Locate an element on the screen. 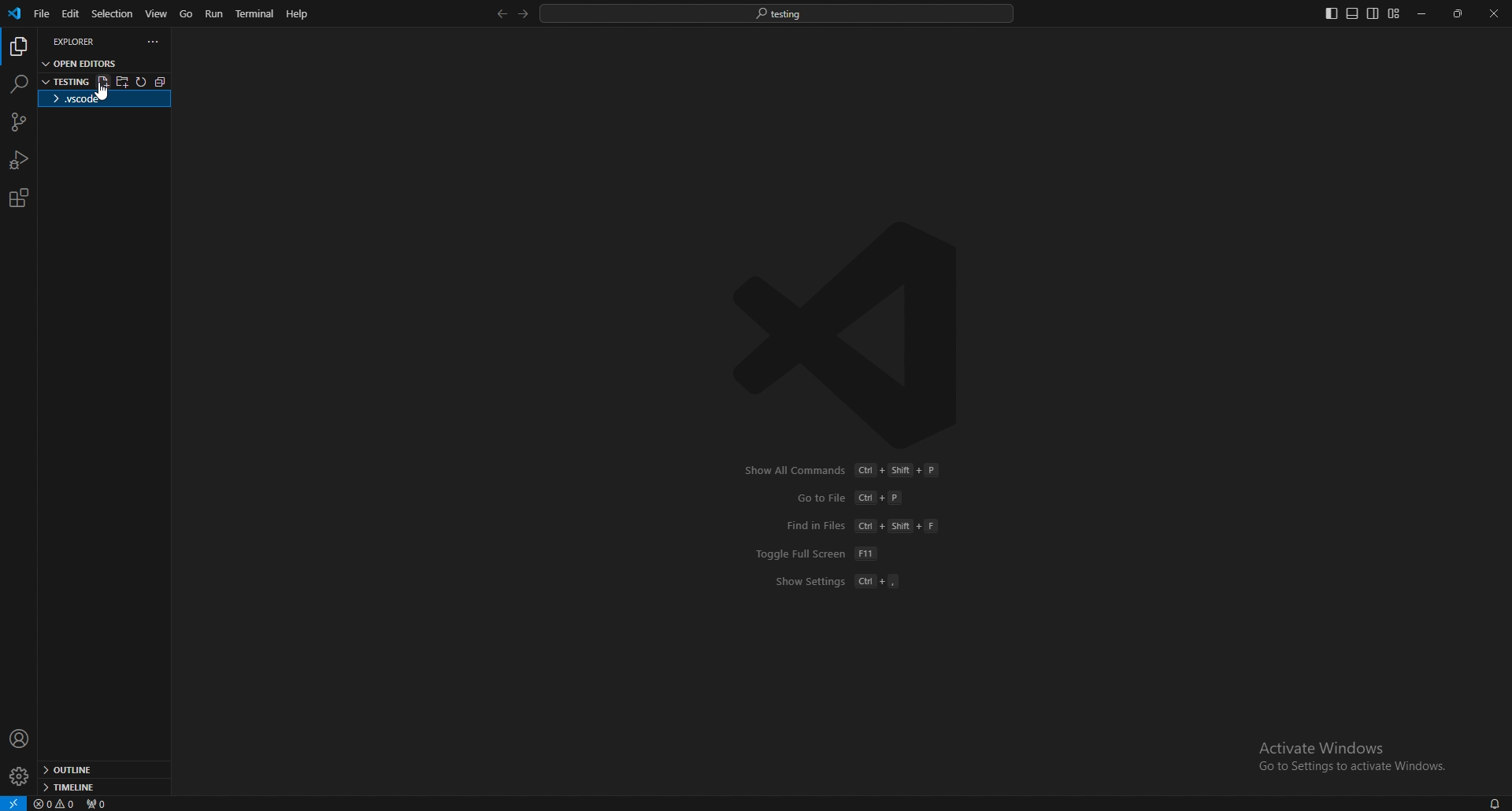  activate windows is located at coordinates (1343, 756).